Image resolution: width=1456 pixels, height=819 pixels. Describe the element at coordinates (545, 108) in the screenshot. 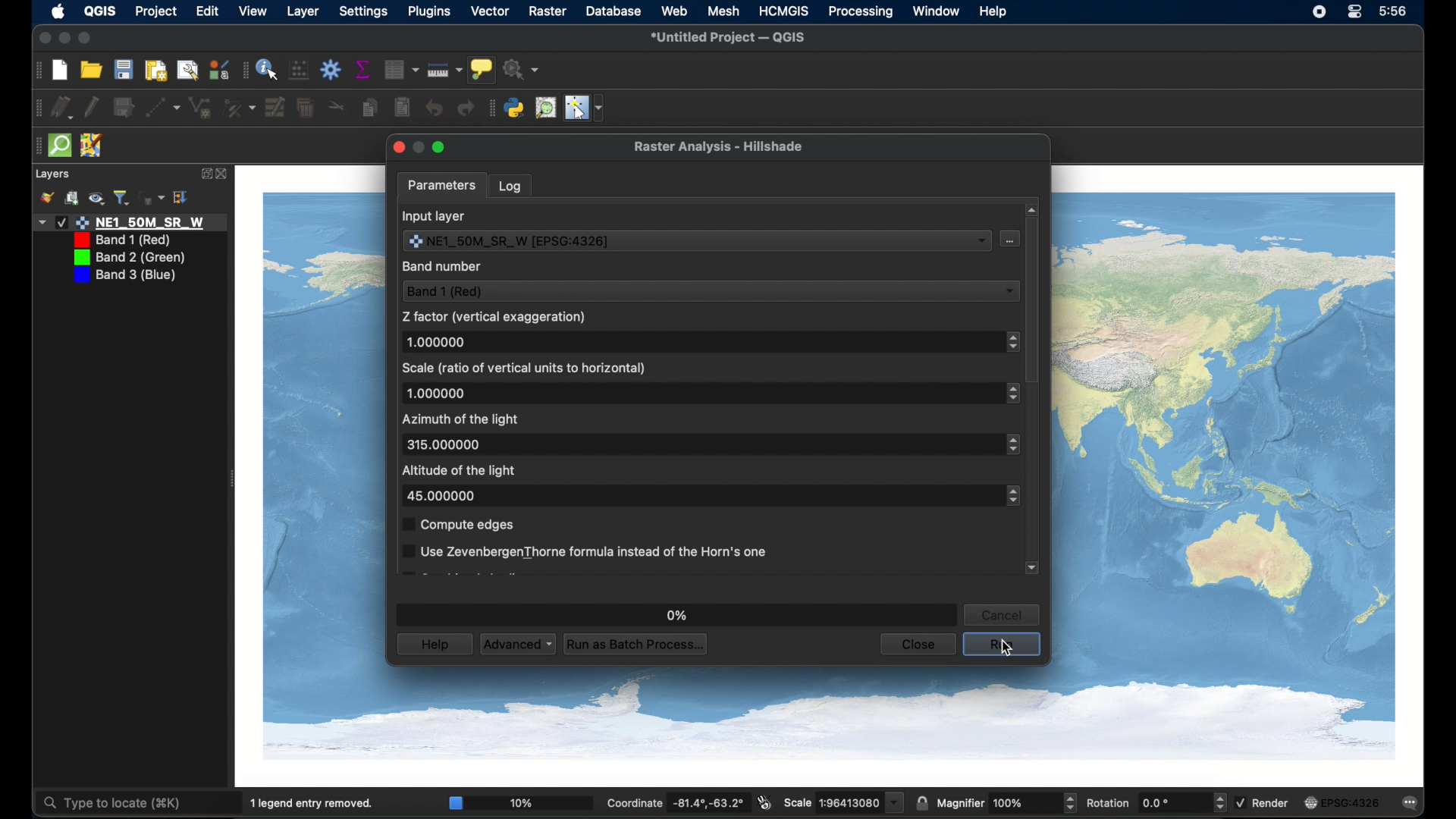

I see `osm place search` at that location.